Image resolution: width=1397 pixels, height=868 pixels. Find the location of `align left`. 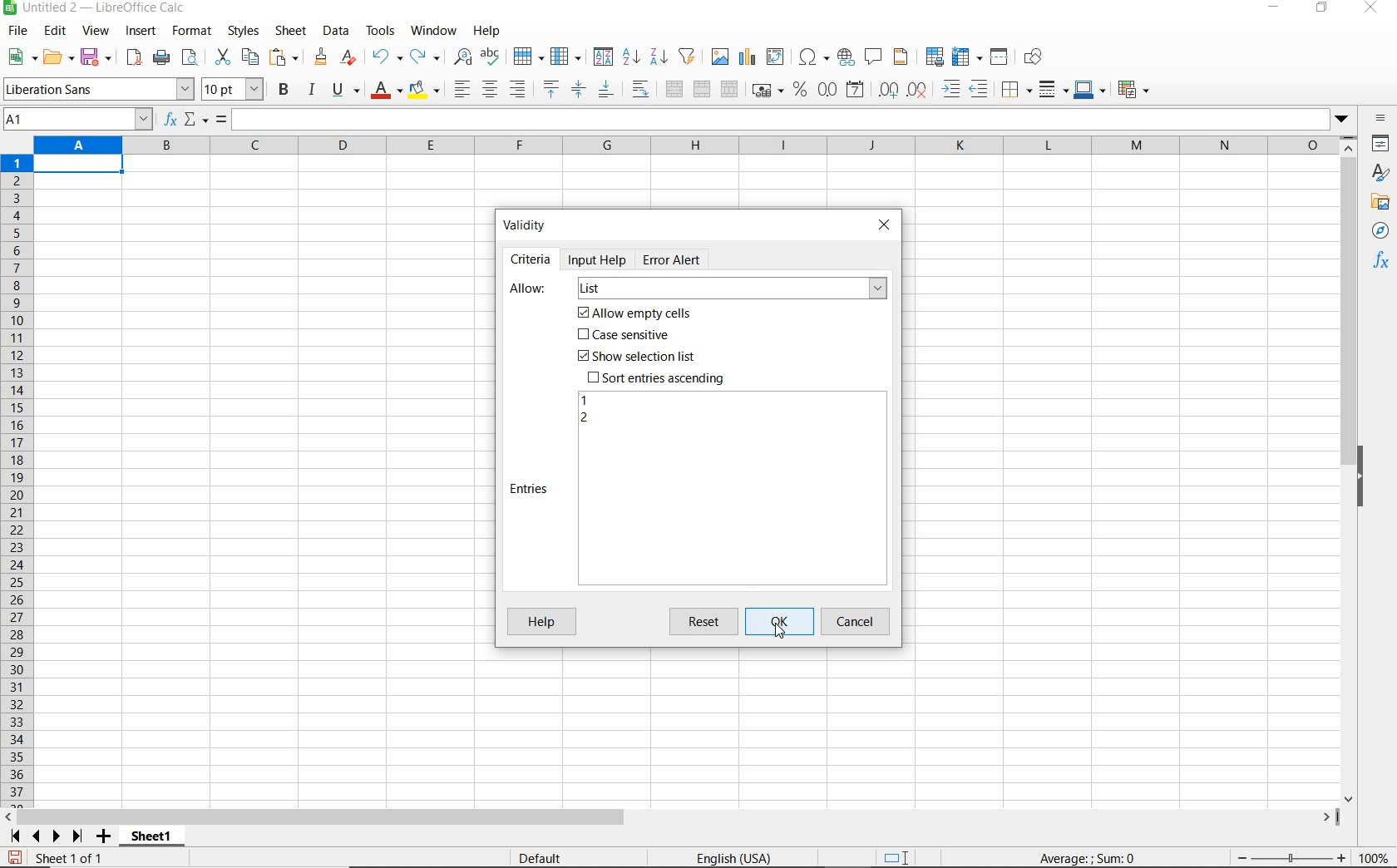

align left is located at coordinates (461, 91).